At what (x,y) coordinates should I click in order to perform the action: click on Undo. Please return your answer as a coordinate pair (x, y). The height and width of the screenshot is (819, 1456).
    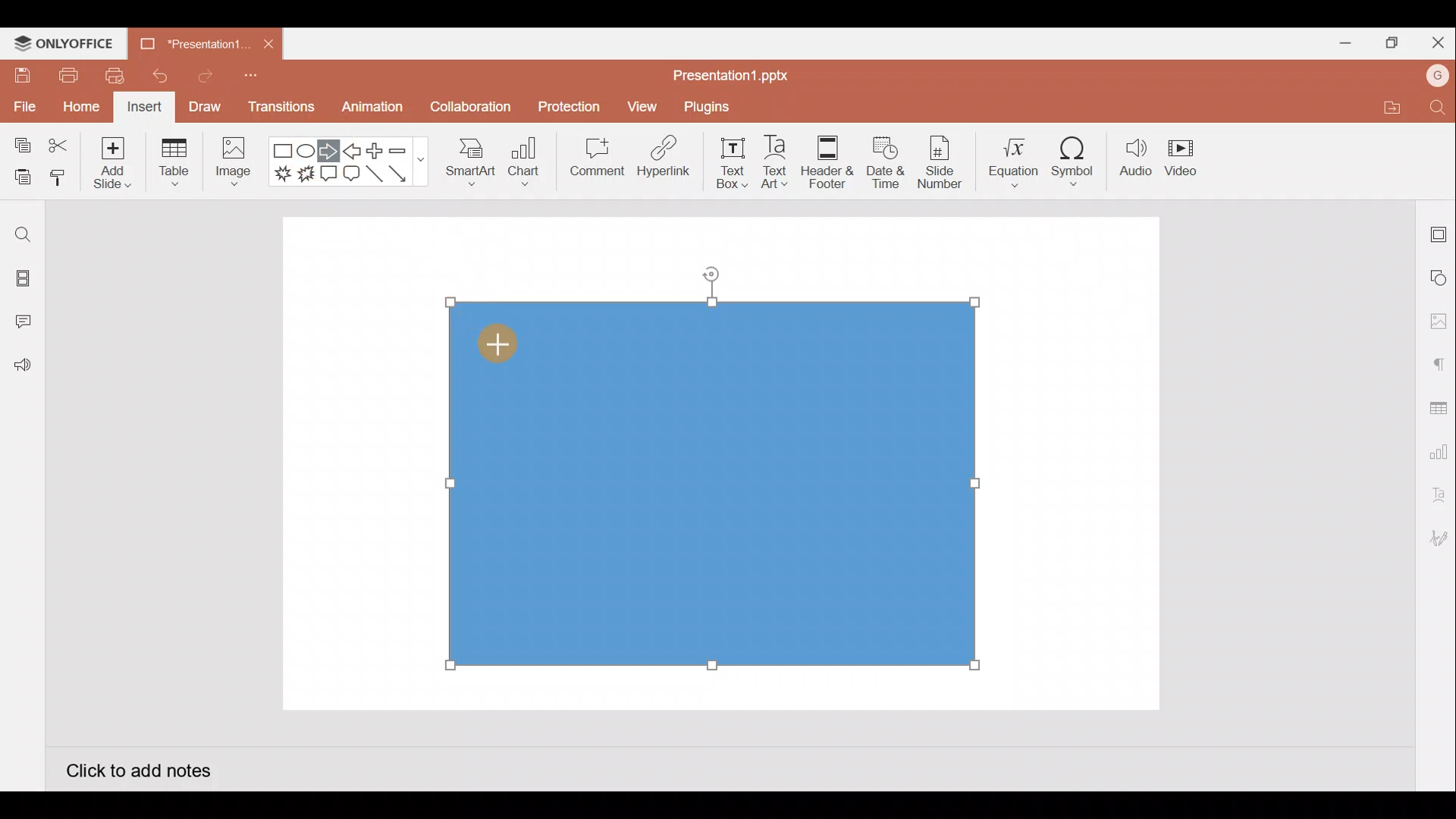
    Looking at the image, I should click on (154, 76).